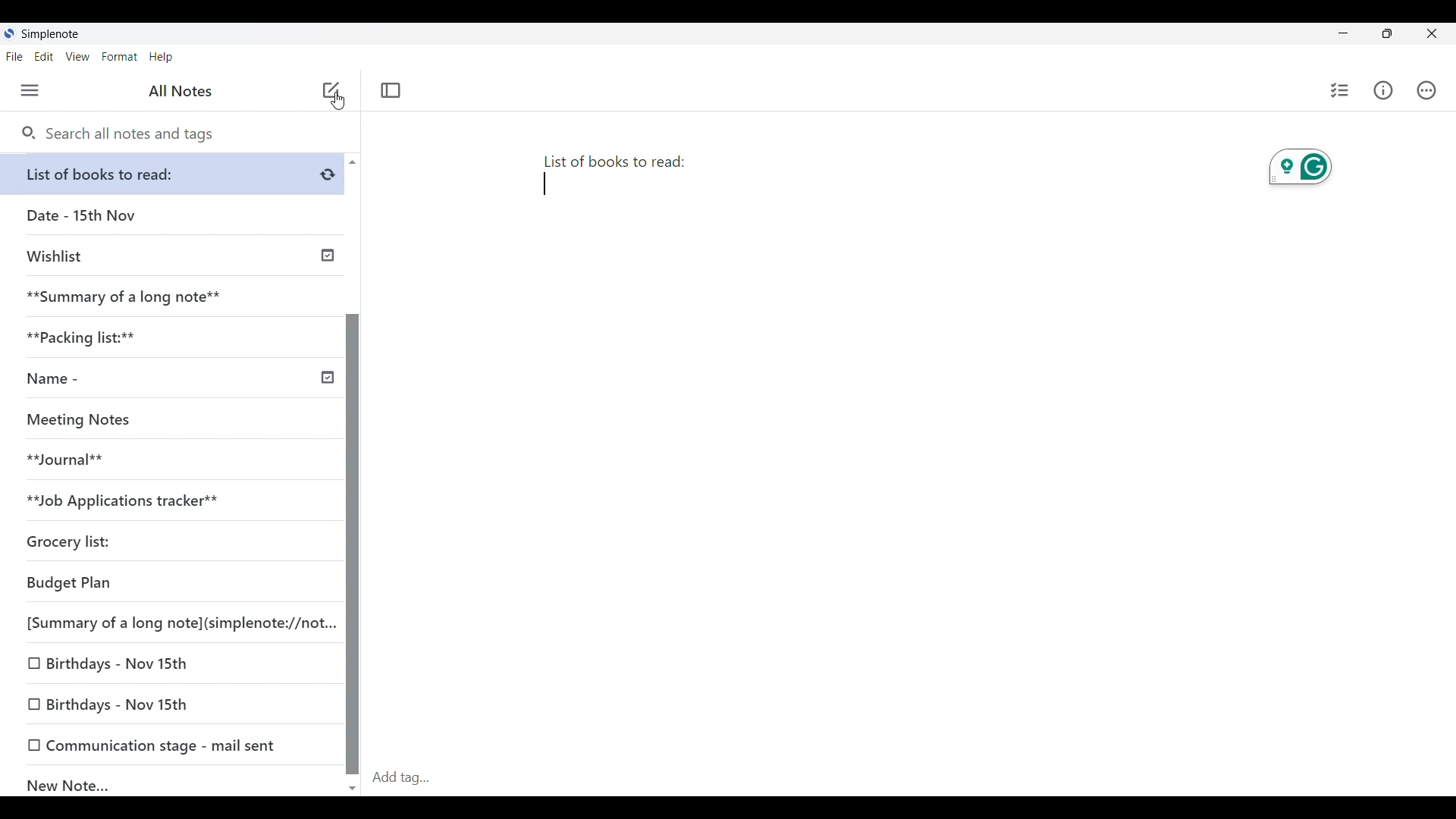 The width and height of the screenshot is (1456, 819). Describe the element at coordinates (1383, 90) in the screenshot. I see `Info` at that location.